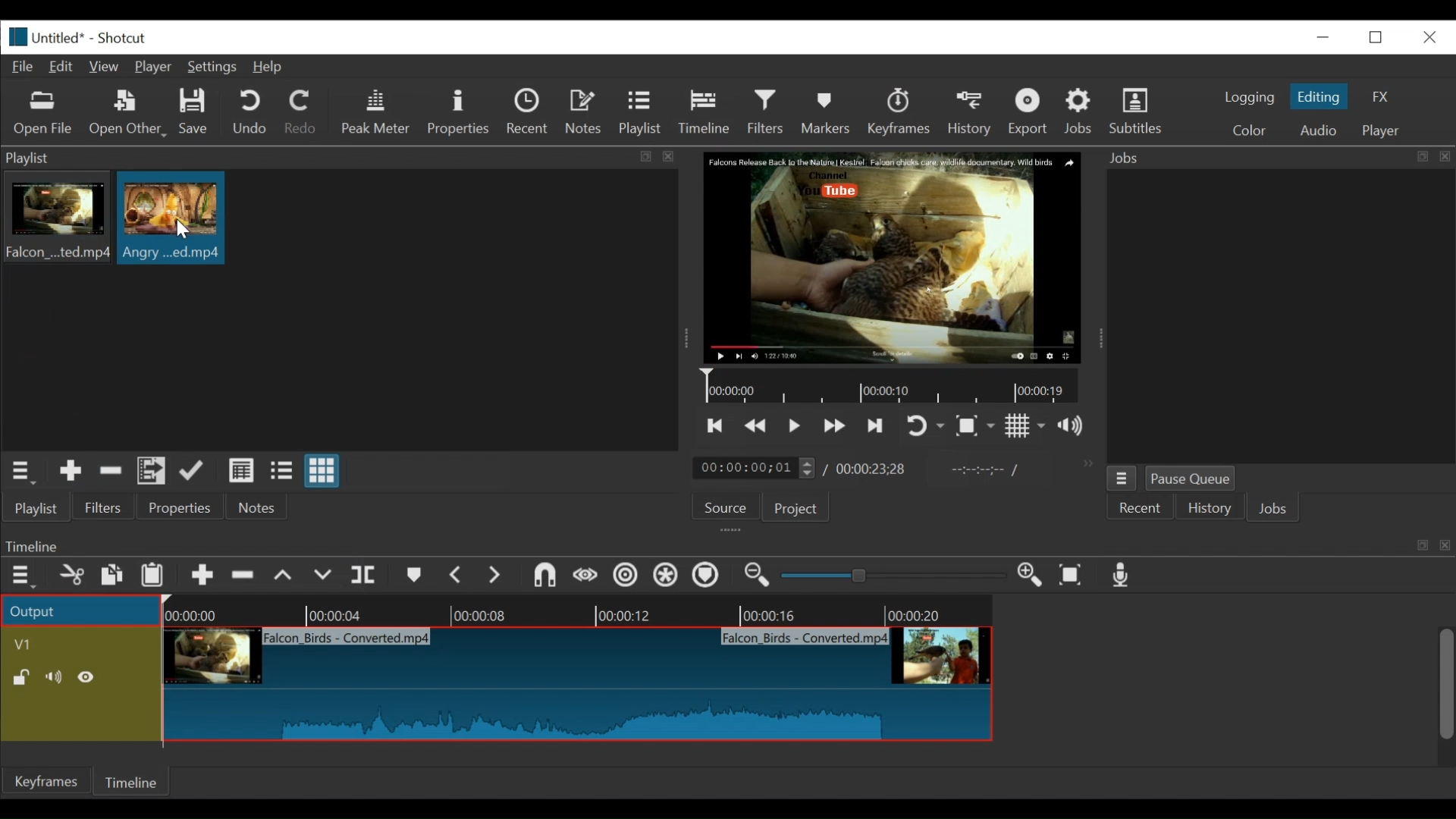  What do you see at coordinates (25, 576) in the screenshot?
I see `Timeline menu` at bounding box center [25, 576].